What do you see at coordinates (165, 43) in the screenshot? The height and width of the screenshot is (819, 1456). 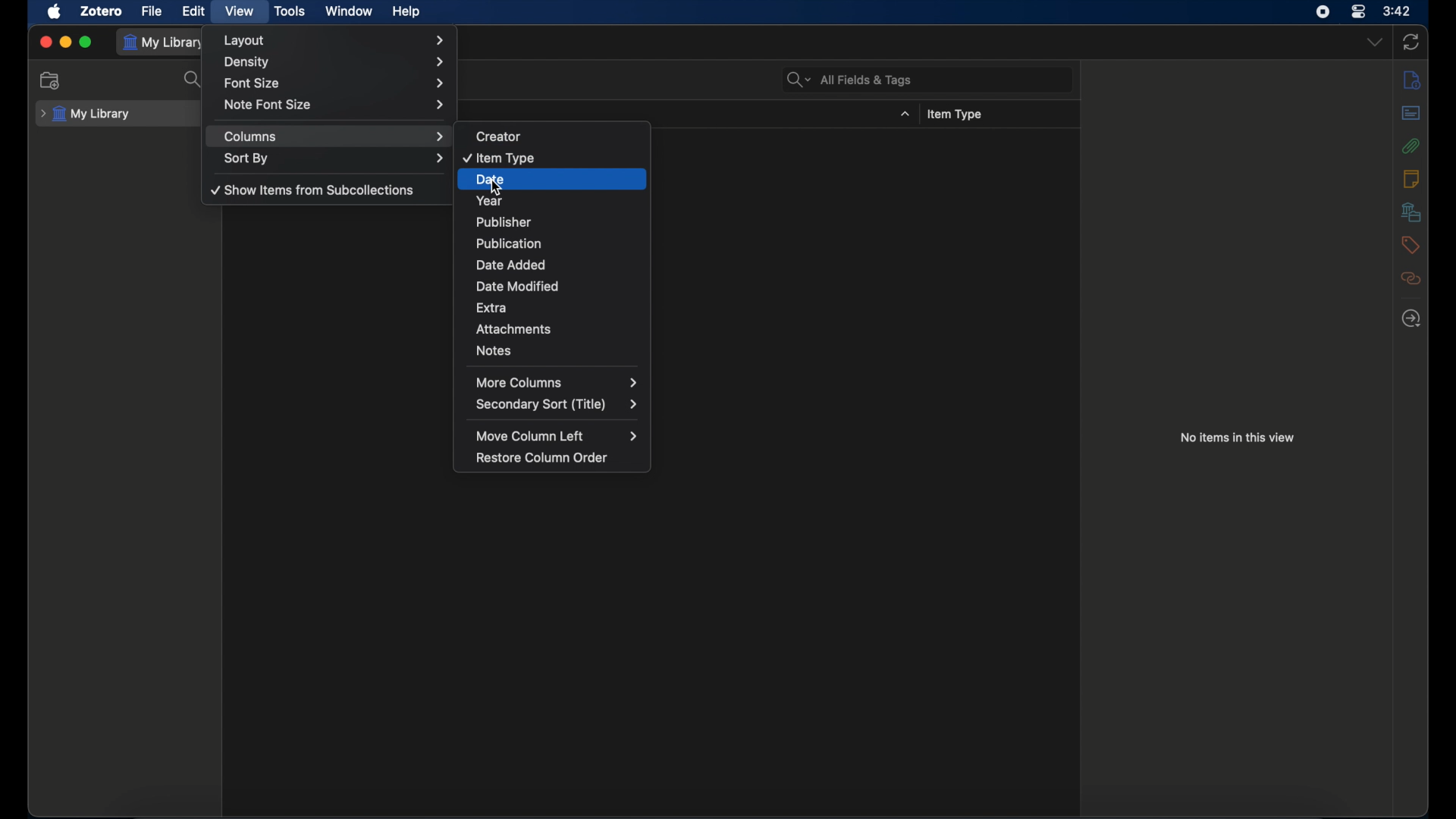 I see `my library` at bounding box center [165, 43].